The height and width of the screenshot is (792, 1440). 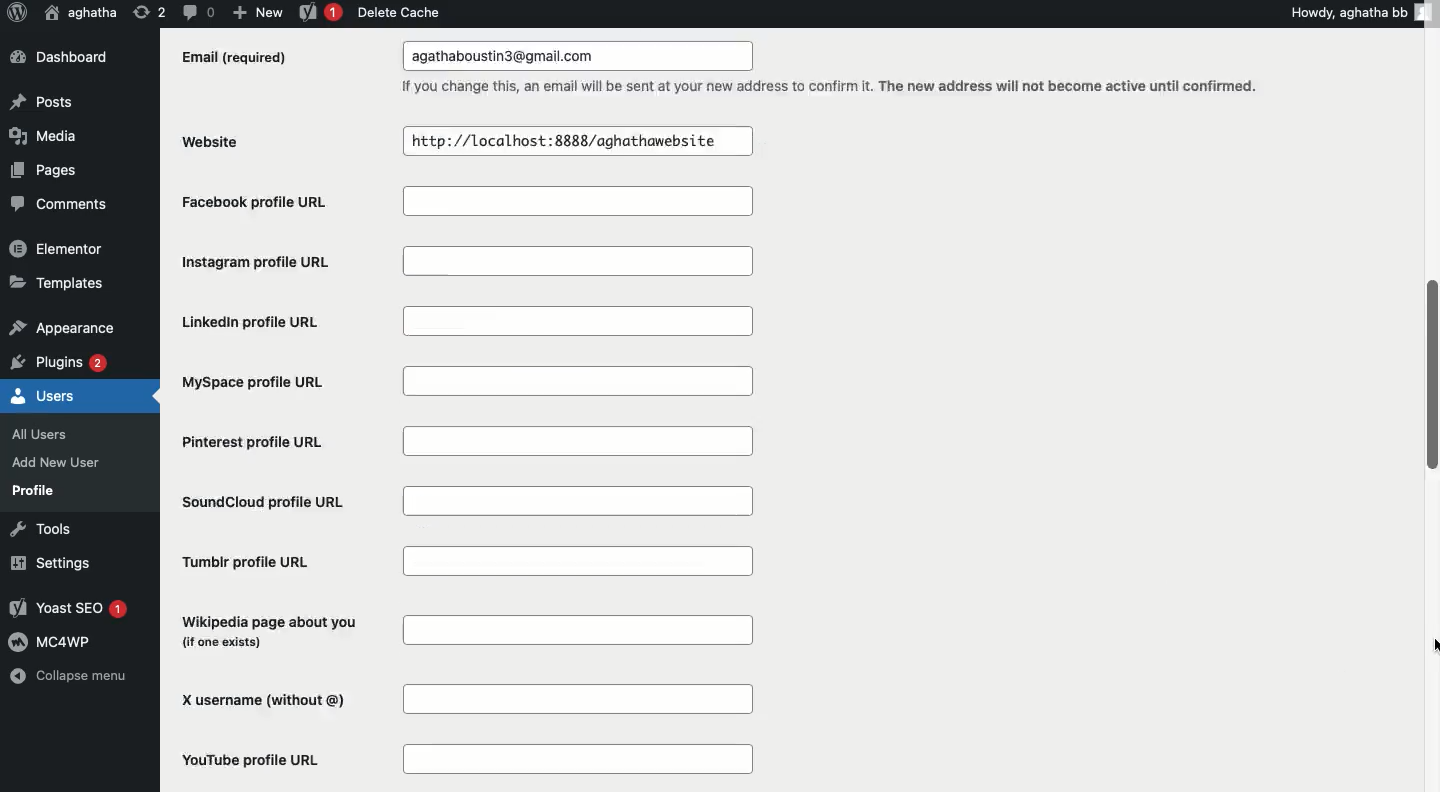 What do you see at coordinates (54, 640) in the screenshot?
I see `MC4WP` at bounding box center [54, 640].